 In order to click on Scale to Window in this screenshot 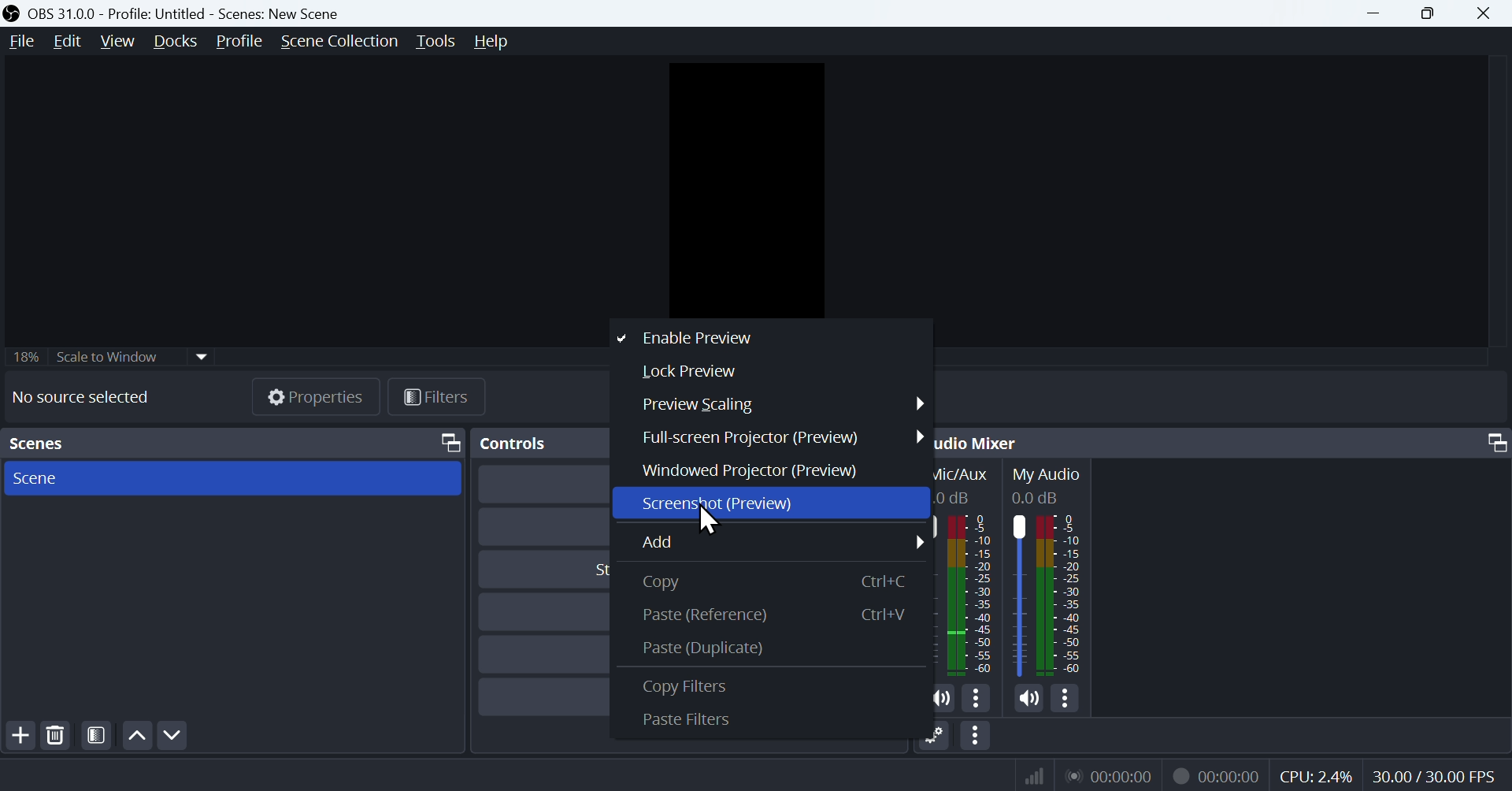, I will do `click(132, 355)`.